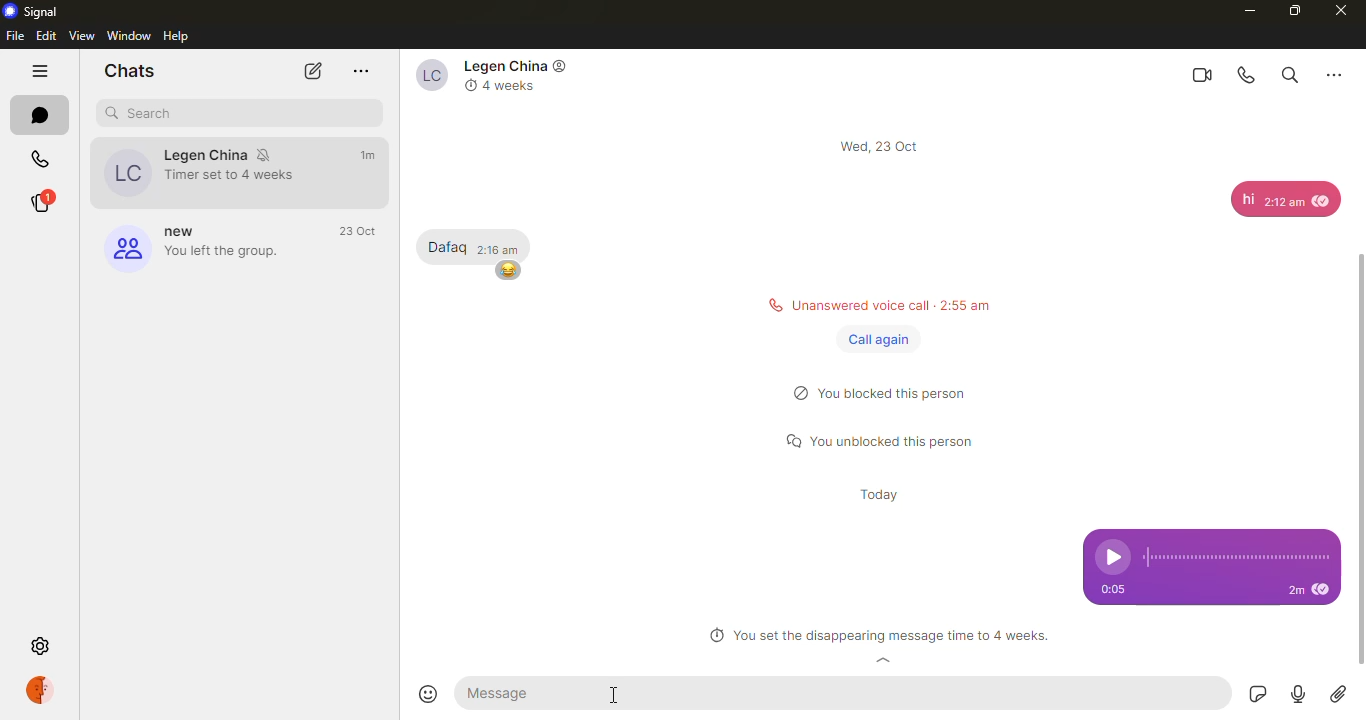 This screenshot has height=720, width=1366. Describe the element at coordinates (1247, 199) in the screenshot. I see `hi` at that location.